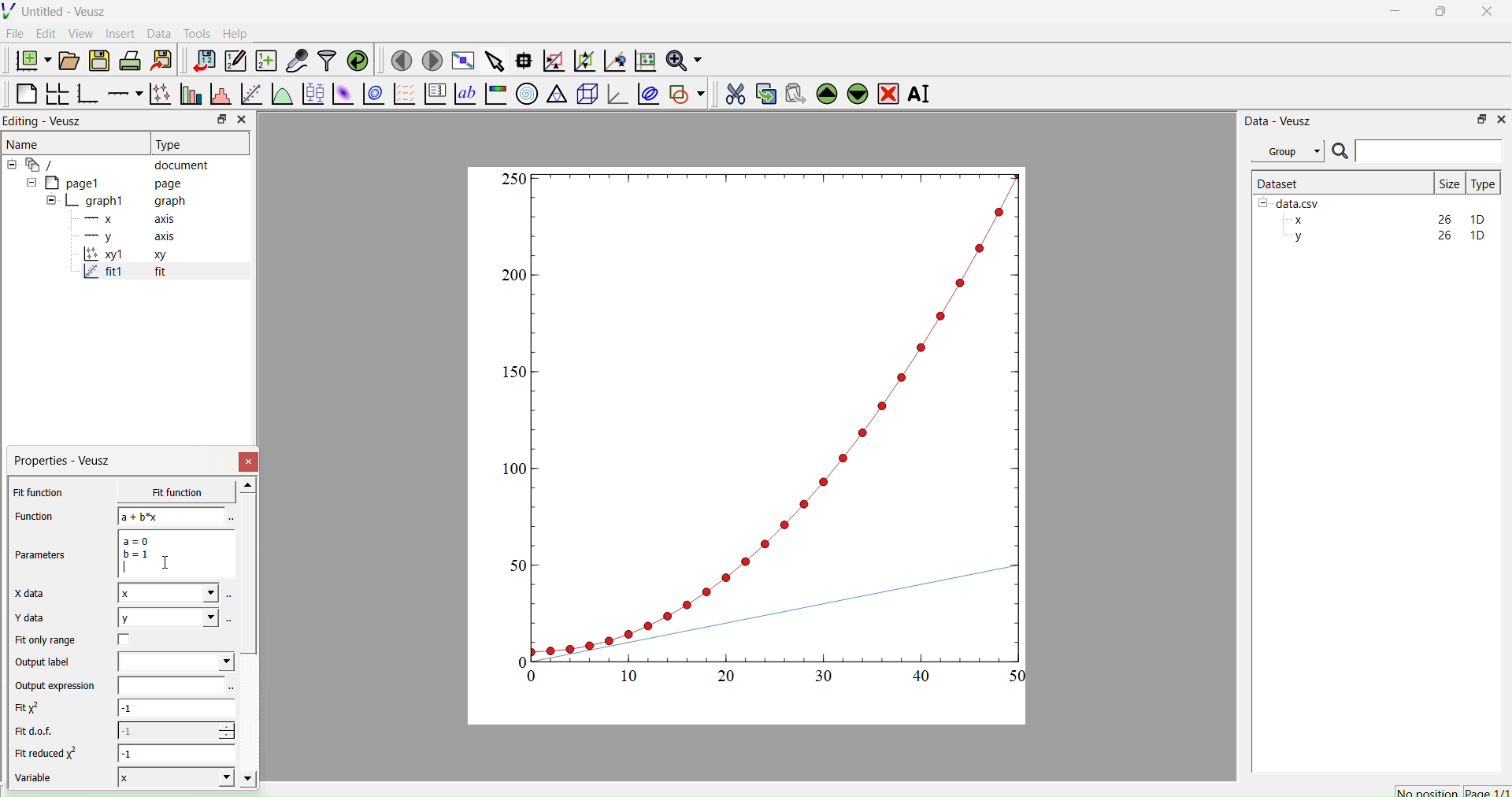 This screenshot has height=797, width=1512. What do you see at coordinates (123, 275) in the screenshot?
I see `fit1 fit` at bounding box center [123, 275].